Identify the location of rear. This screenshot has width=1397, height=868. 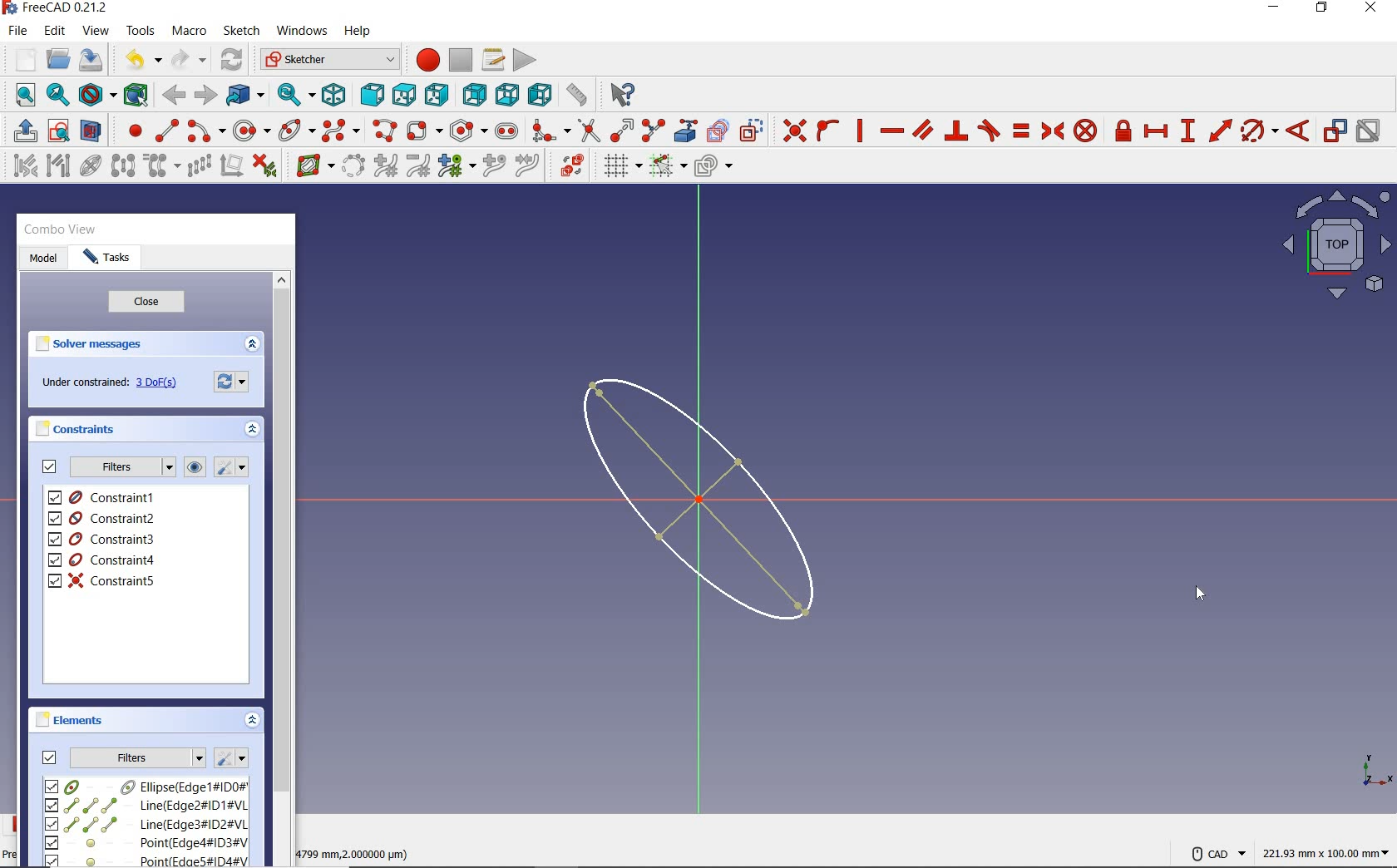
(474, 94).